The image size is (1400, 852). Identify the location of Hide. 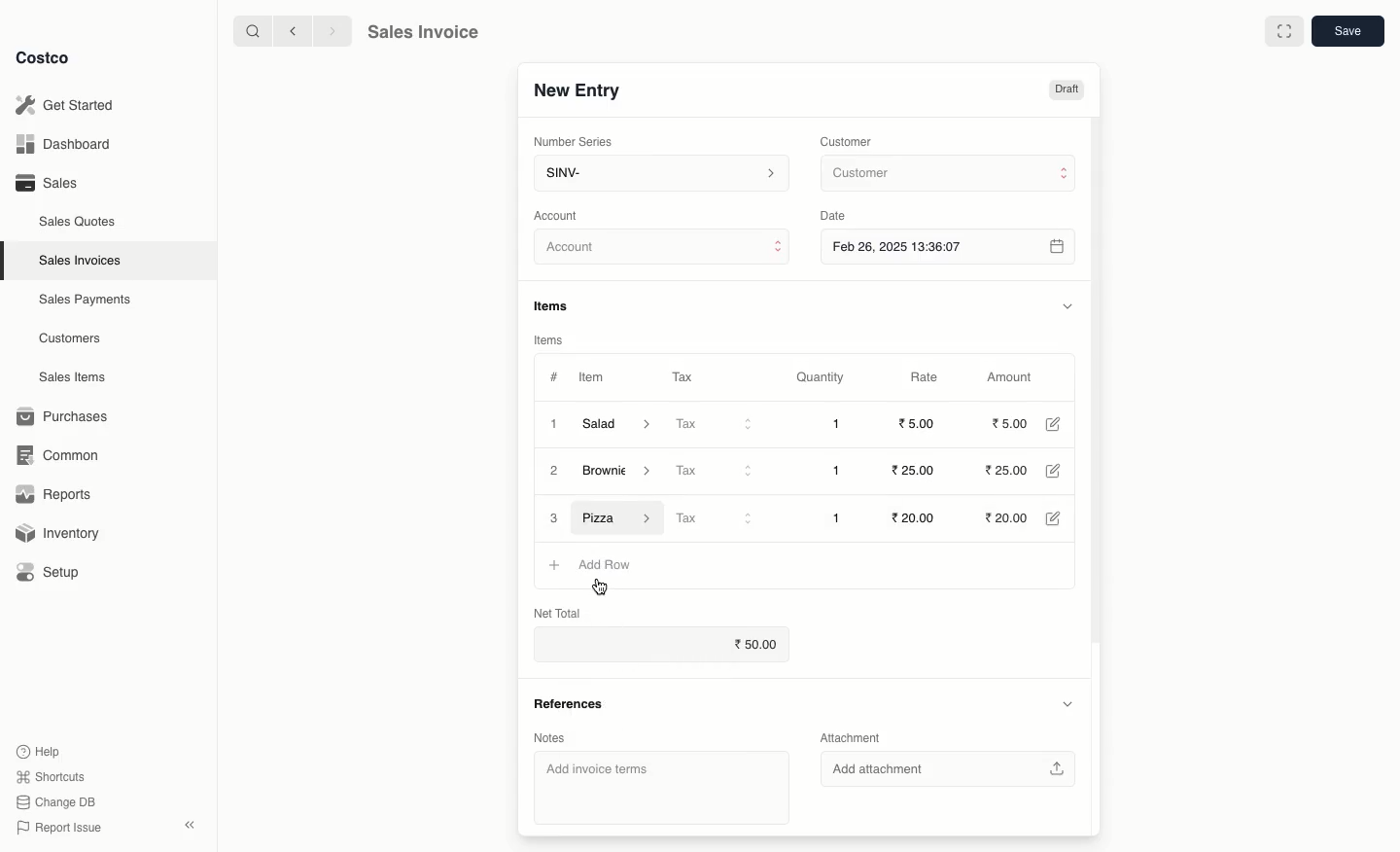
(1067, 305).